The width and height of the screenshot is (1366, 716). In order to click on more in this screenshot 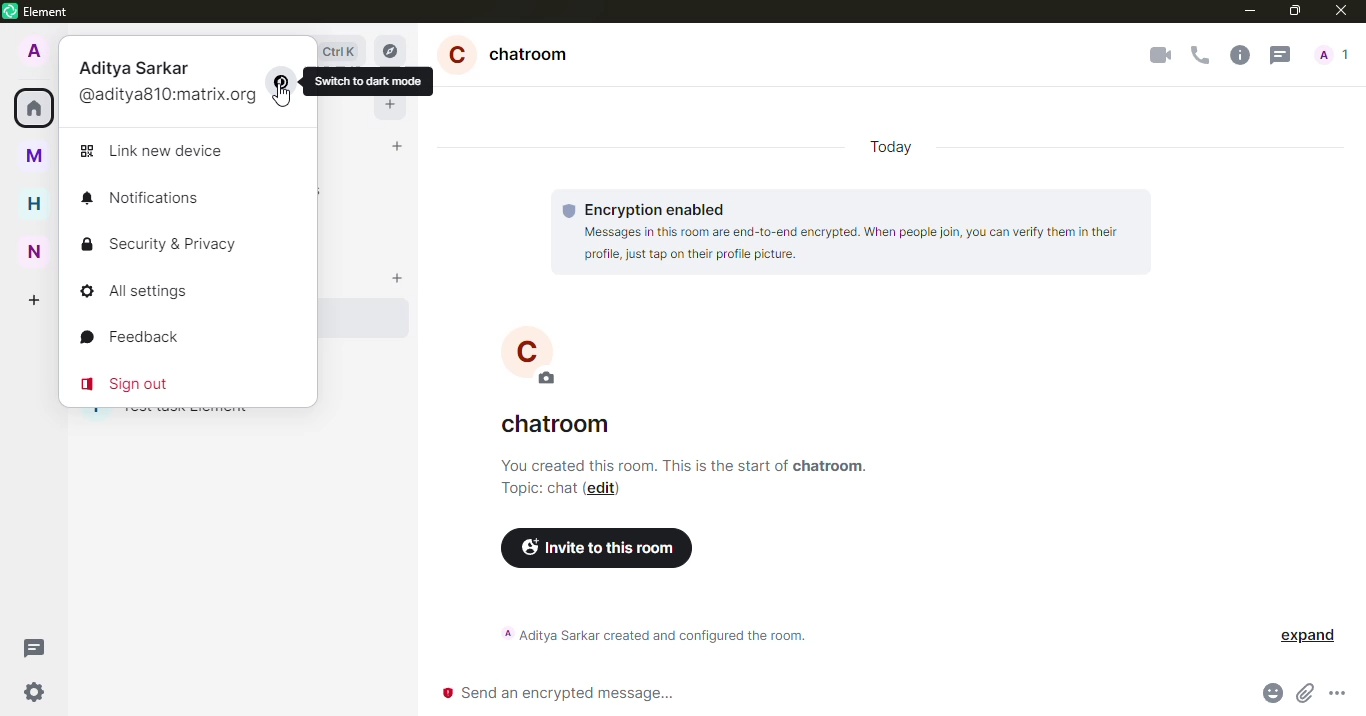, I will do `click(1341, 694)`.